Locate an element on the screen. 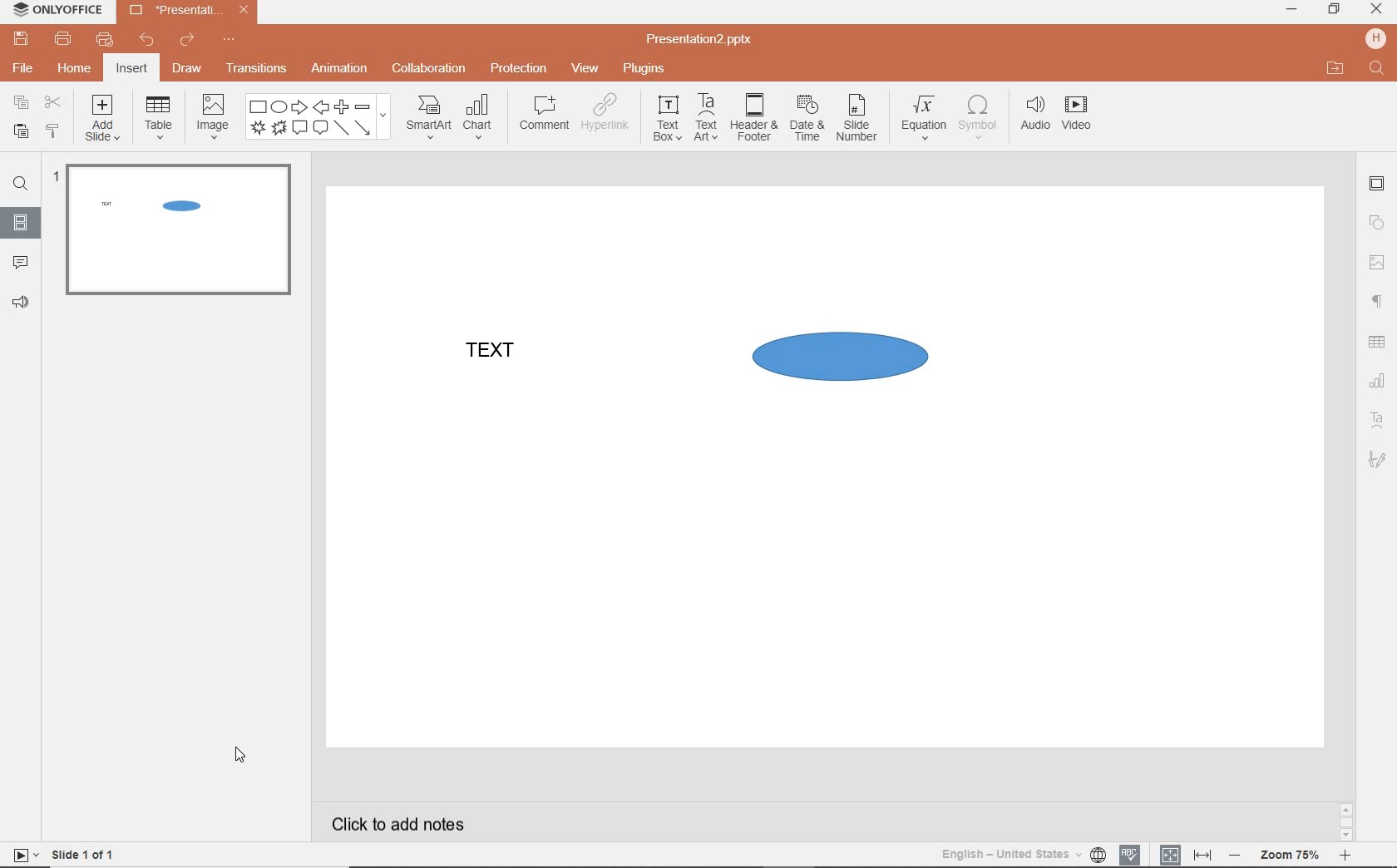 The height and width of the screenshot is (868, 1397). TEXT FIELD is located at coordinates (497, 367).